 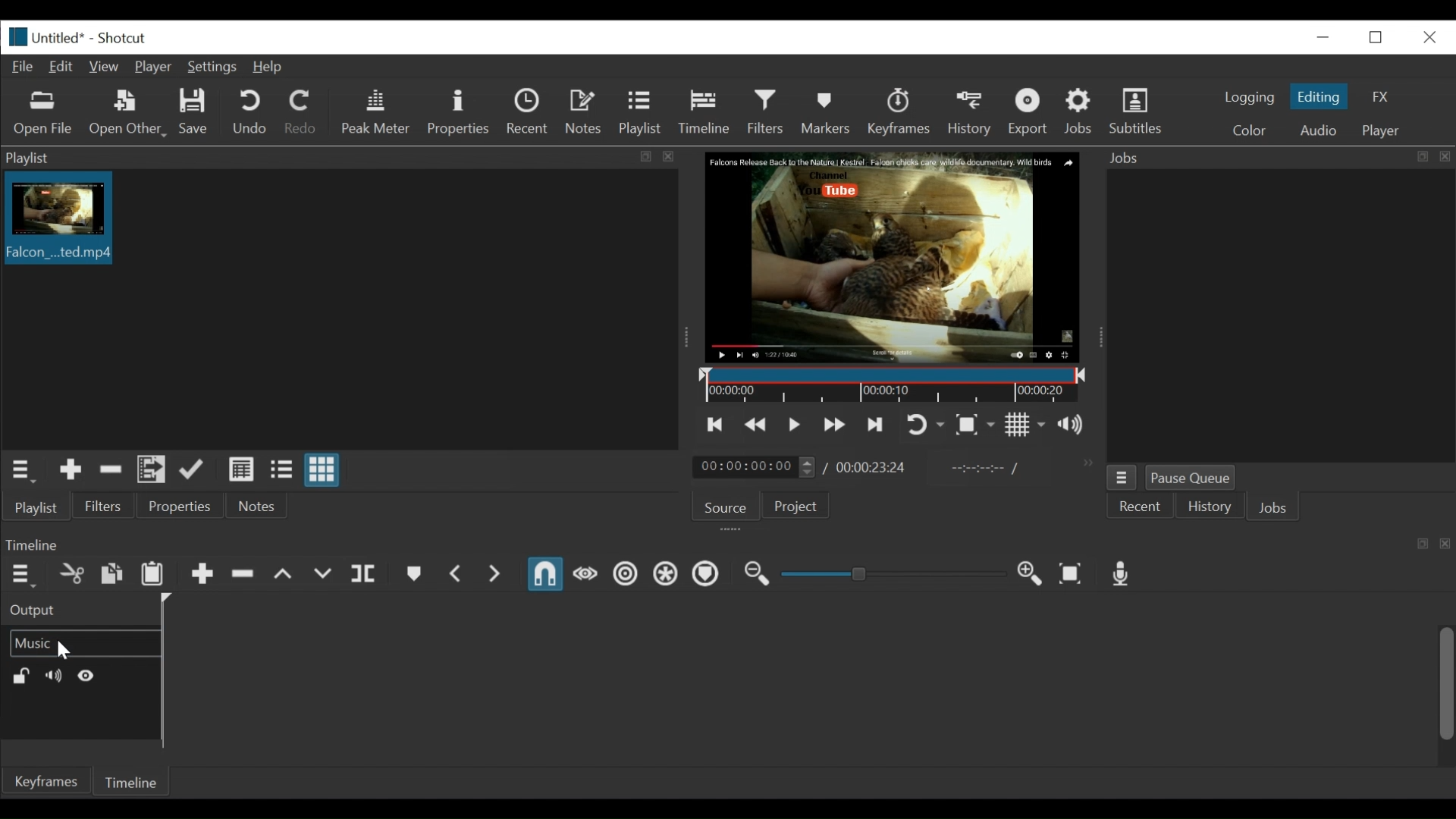 What do you see at coordinates (284, 573) in the screenshot?
I see `Lift` at bounding box center [284, 573].